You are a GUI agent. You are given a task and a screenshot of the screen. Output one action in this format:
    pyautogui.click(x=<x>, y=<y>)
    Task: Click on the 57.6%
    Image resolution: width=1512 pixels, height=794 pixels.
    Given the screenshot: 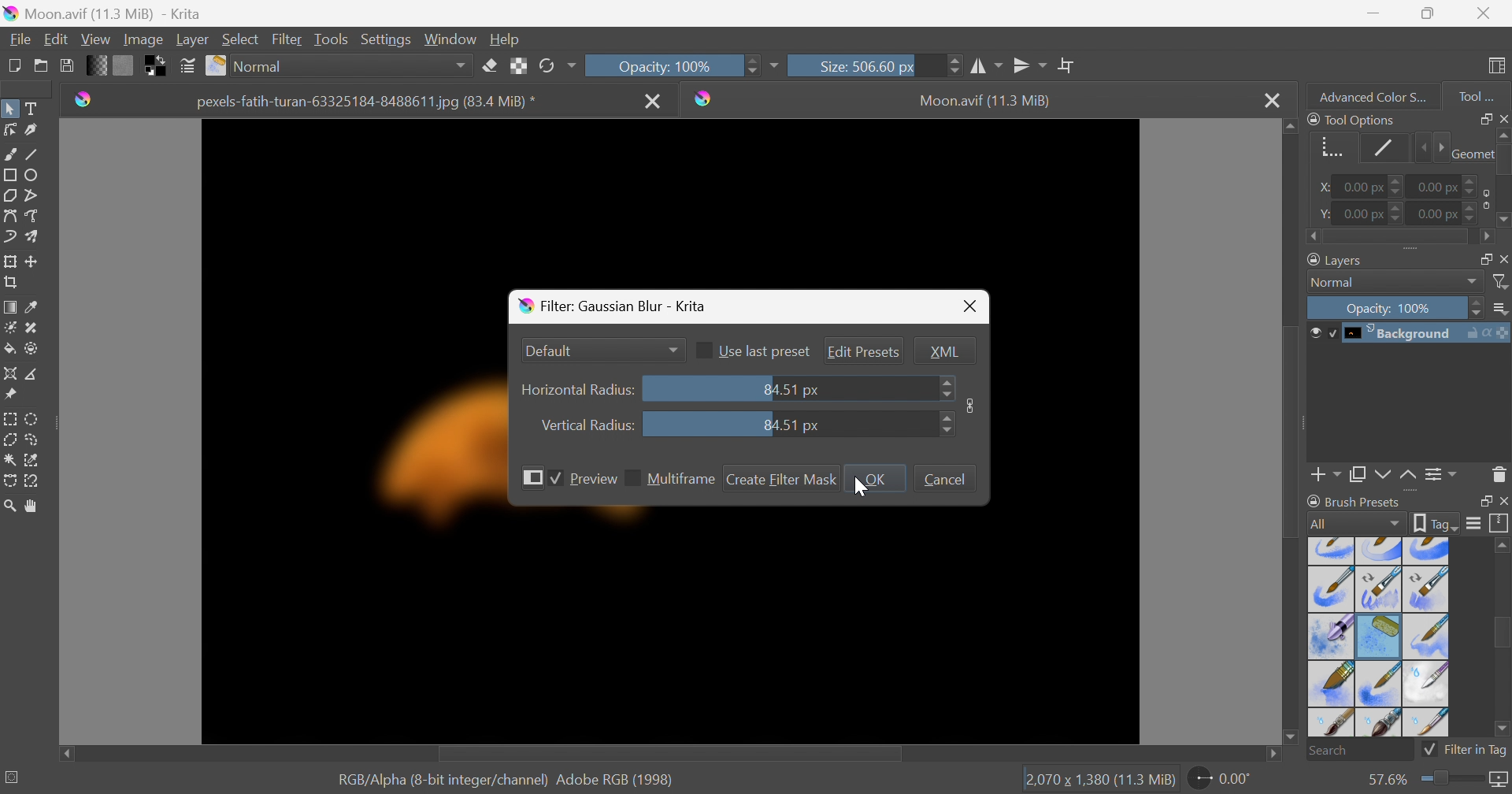 What is the action you would take?
    pyautogui.click(x=1384, y=780)
    